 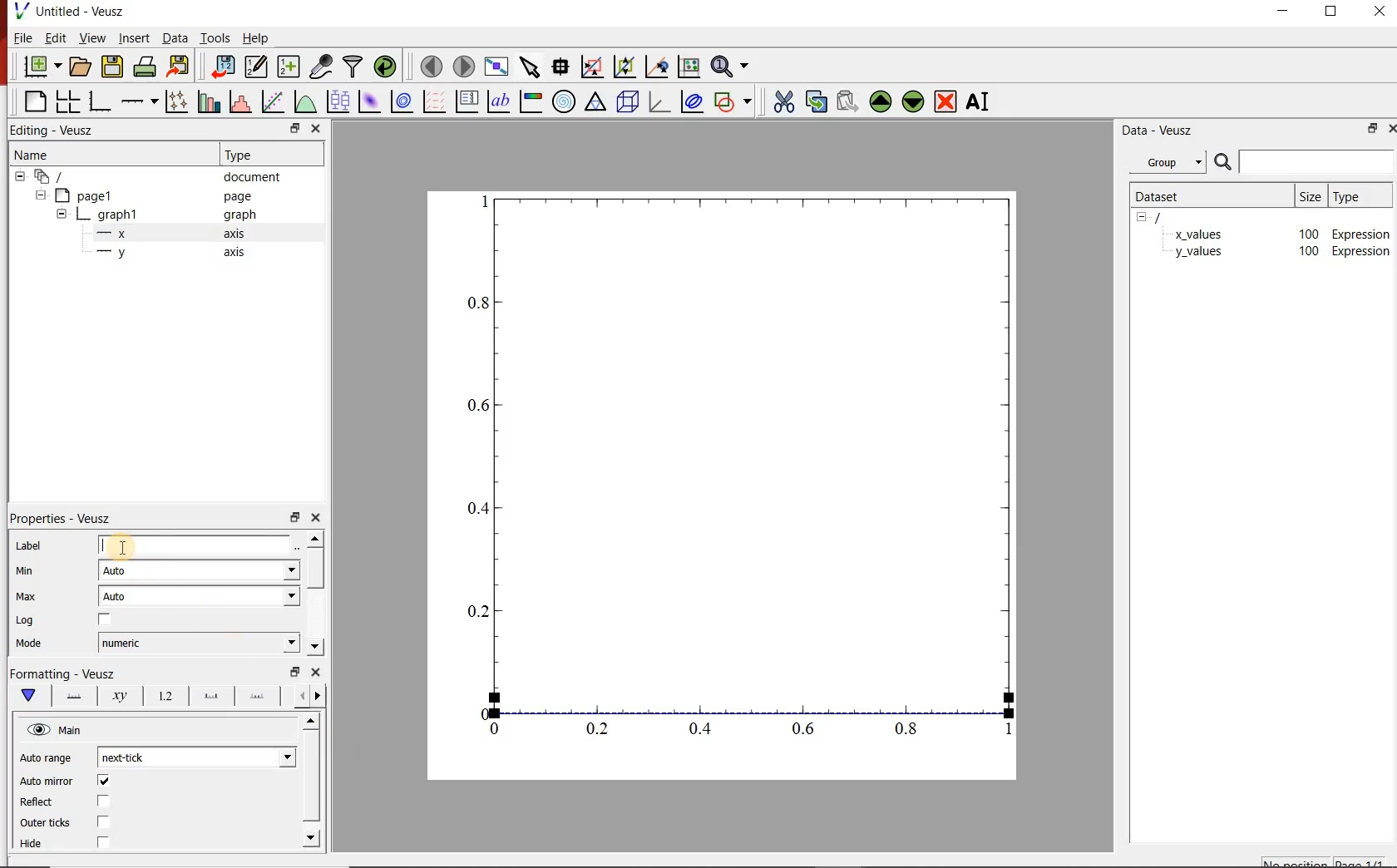 What do you see at coordinates (314, 569) in the screenshot?
I see `vertical scrollbar` at bounding box center [314, 569].